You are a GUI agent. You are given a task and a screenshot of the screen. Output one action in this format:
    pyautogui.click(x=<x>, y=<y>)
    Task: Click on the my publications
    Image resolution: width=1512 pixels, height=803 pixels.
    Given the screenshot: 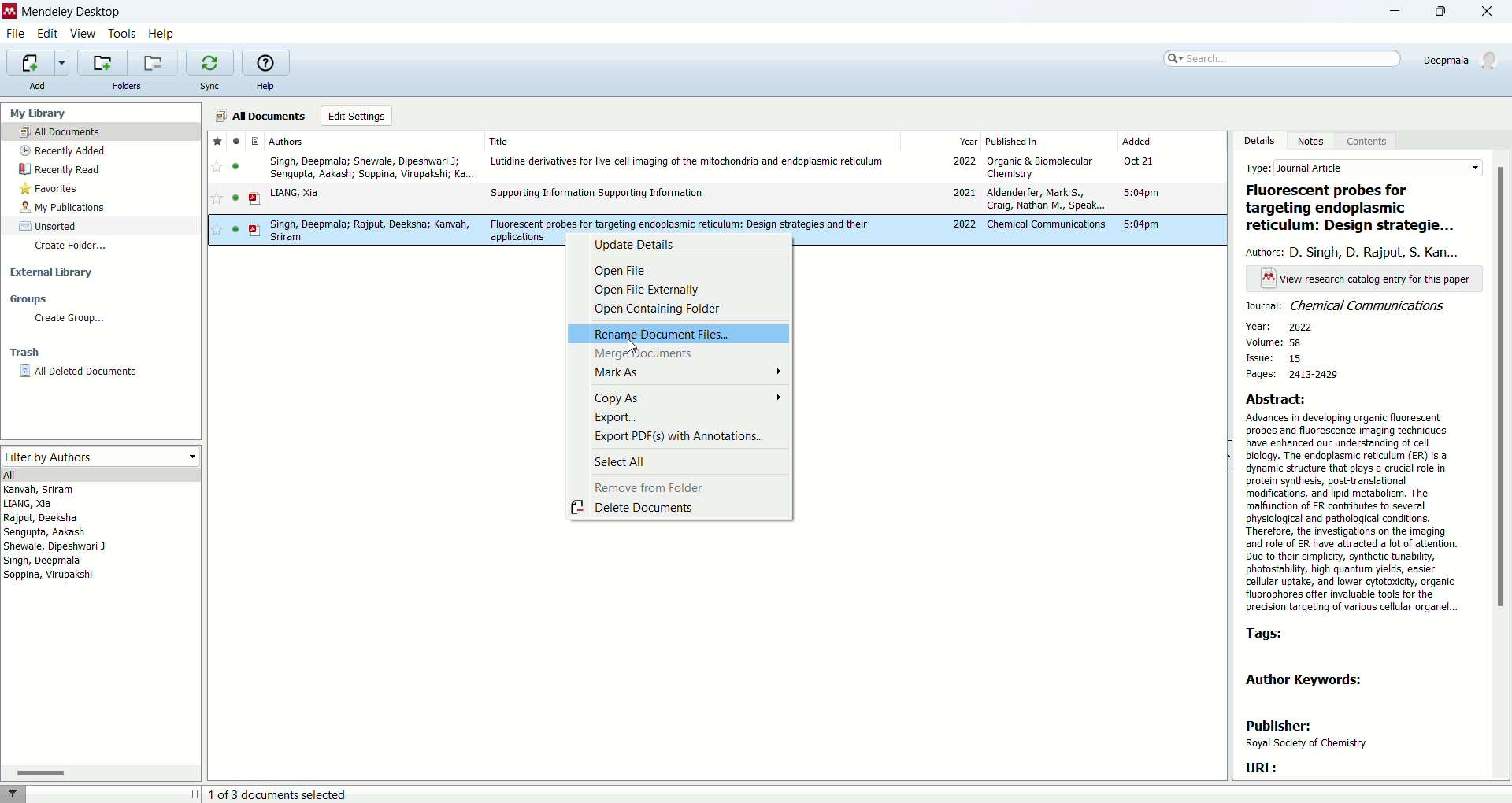 What is the action you would take?
    pyautogui.click(x=65, y=209)
    